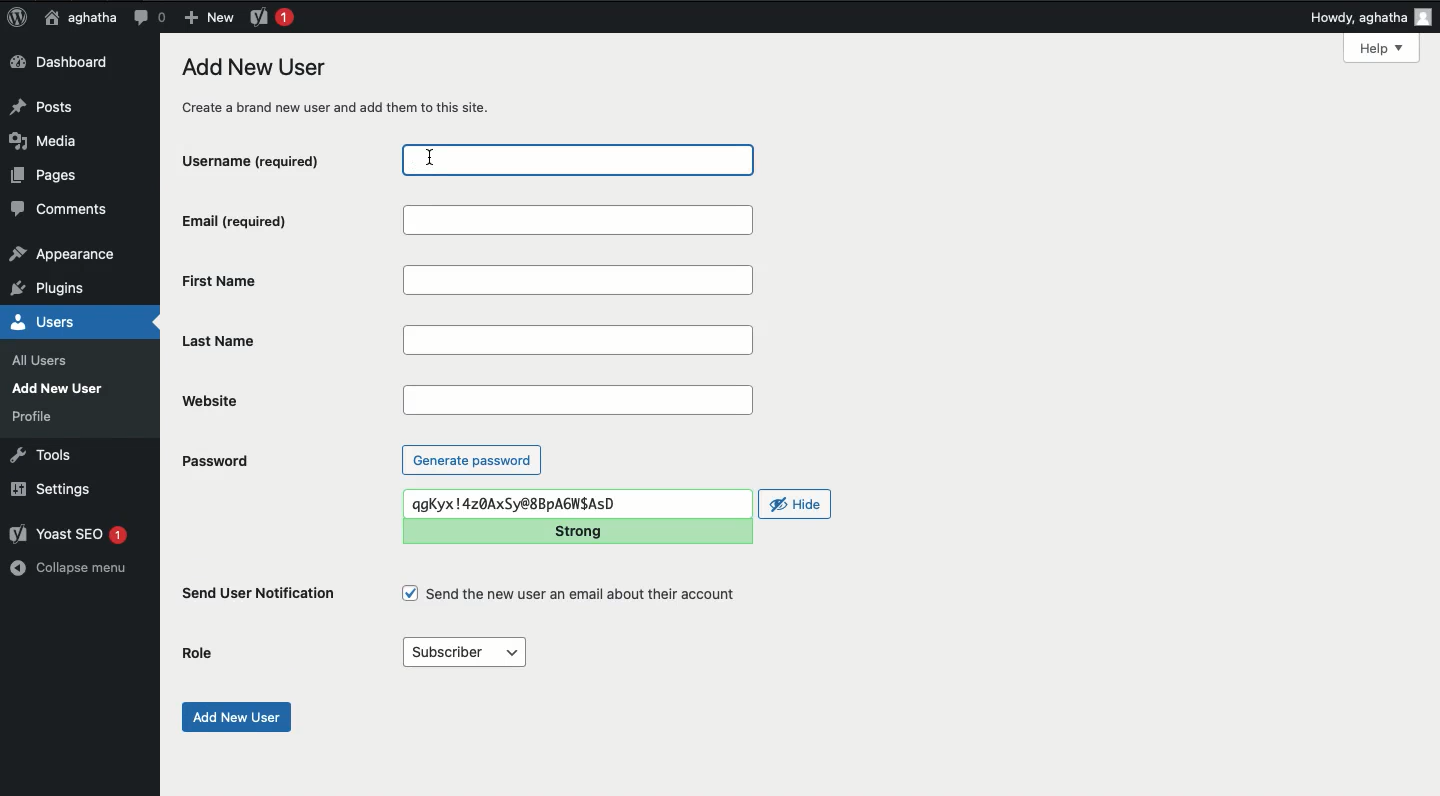  Describe the element at coordinates (50, 141) in the screenshot. I see `Media` at that location.